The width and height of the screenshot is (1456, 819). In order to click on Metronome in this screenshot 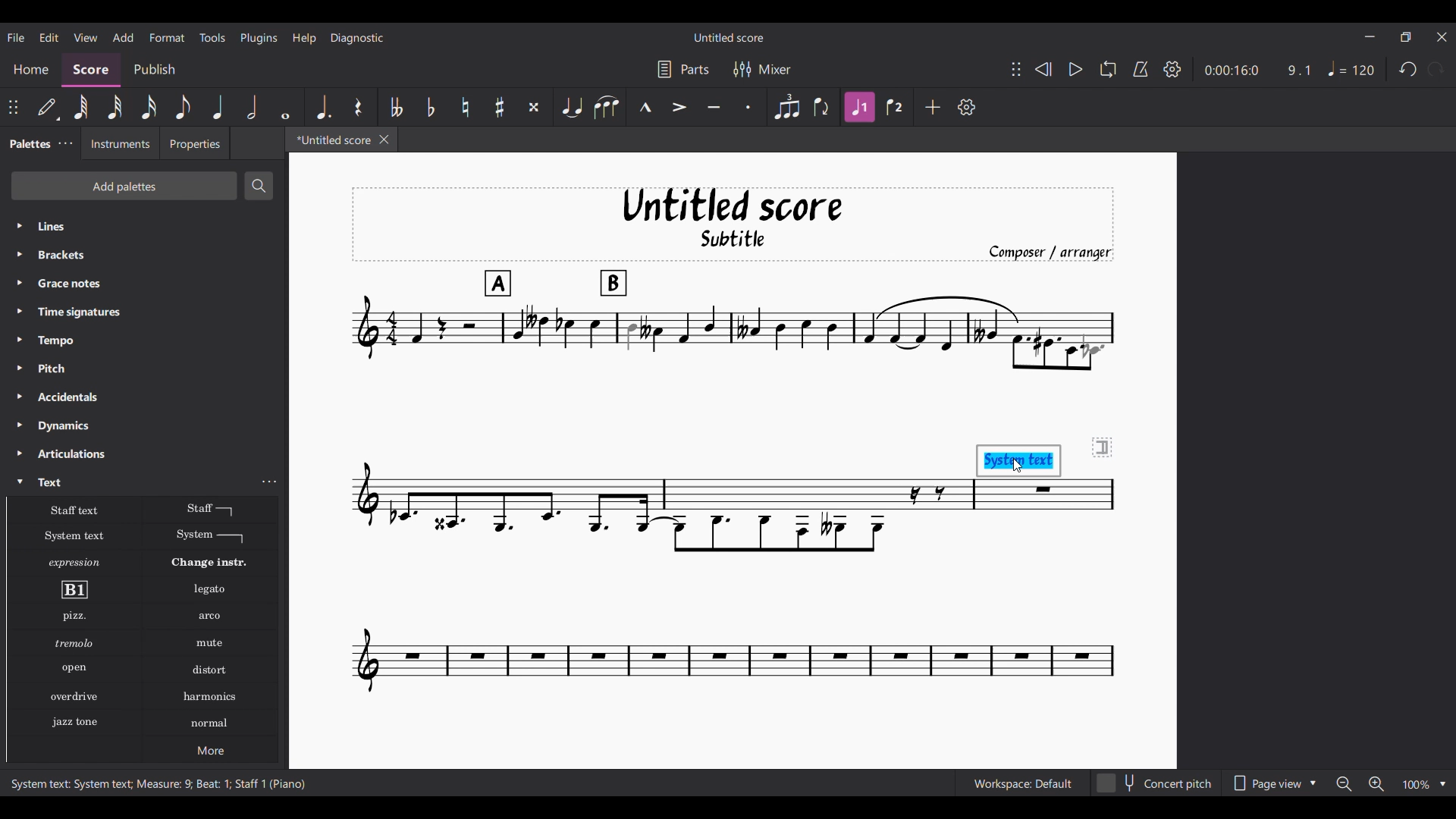, I will do `click(1141, 69)`.